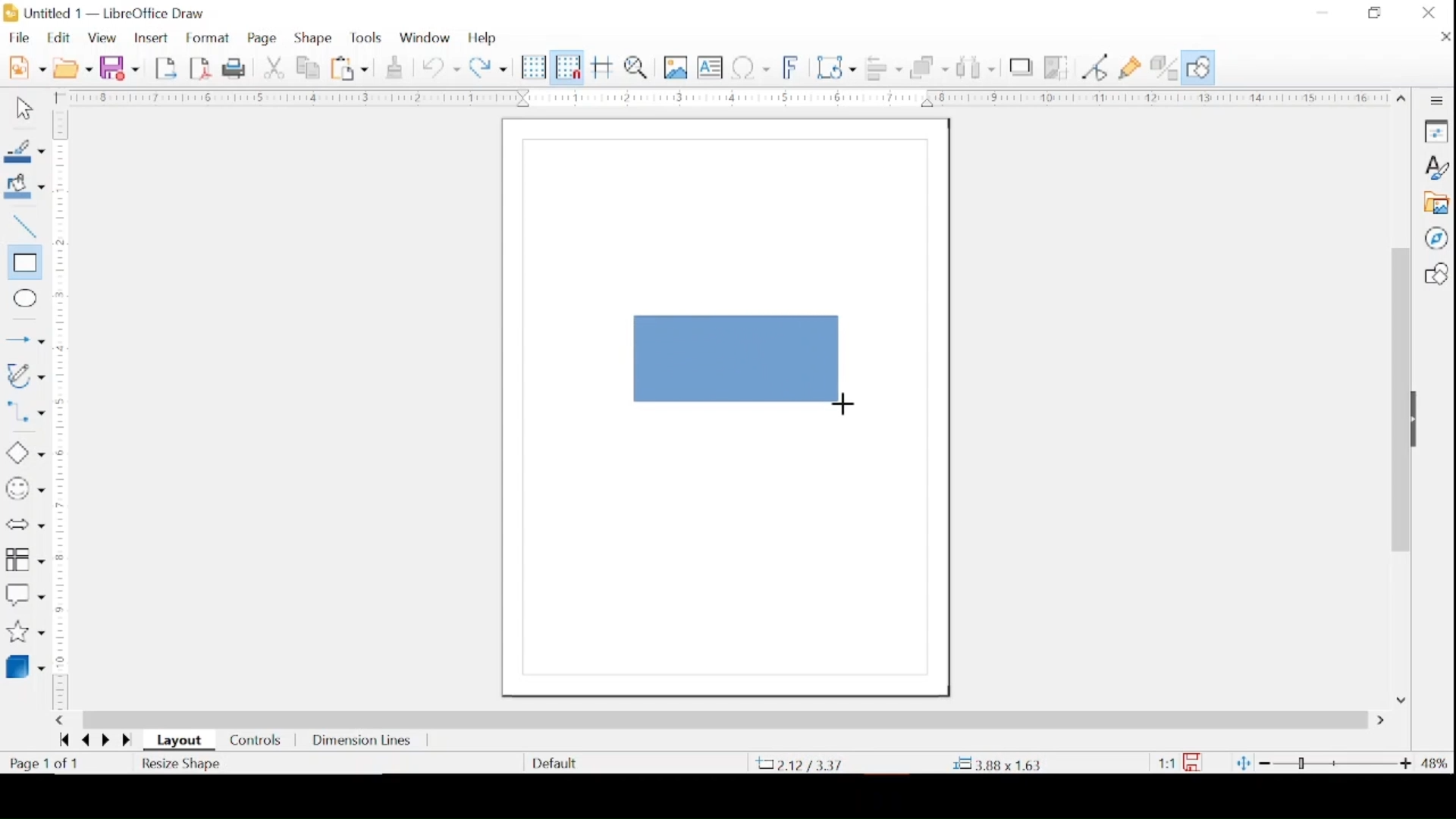 The image size is (1456, 819). I want to click on restore down, so click(1374, 12).